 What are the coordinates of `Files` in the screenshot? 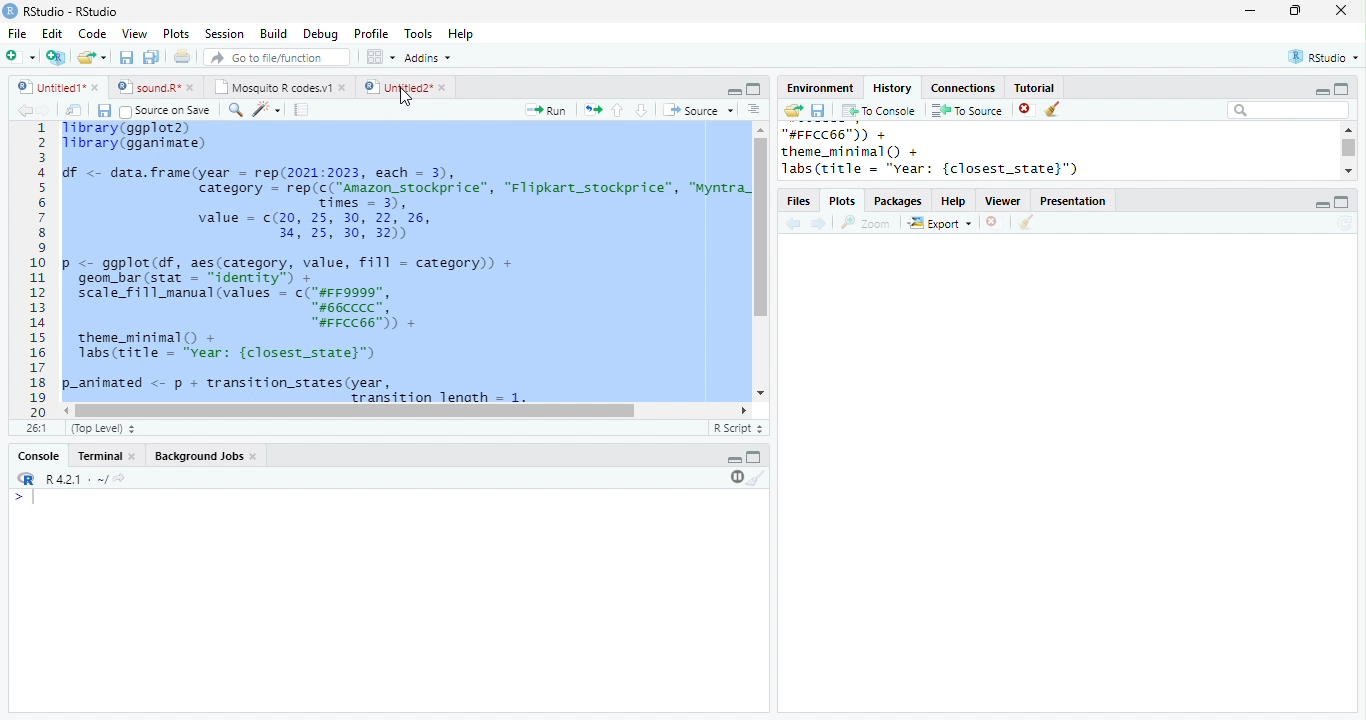 It's located at (798, 201).